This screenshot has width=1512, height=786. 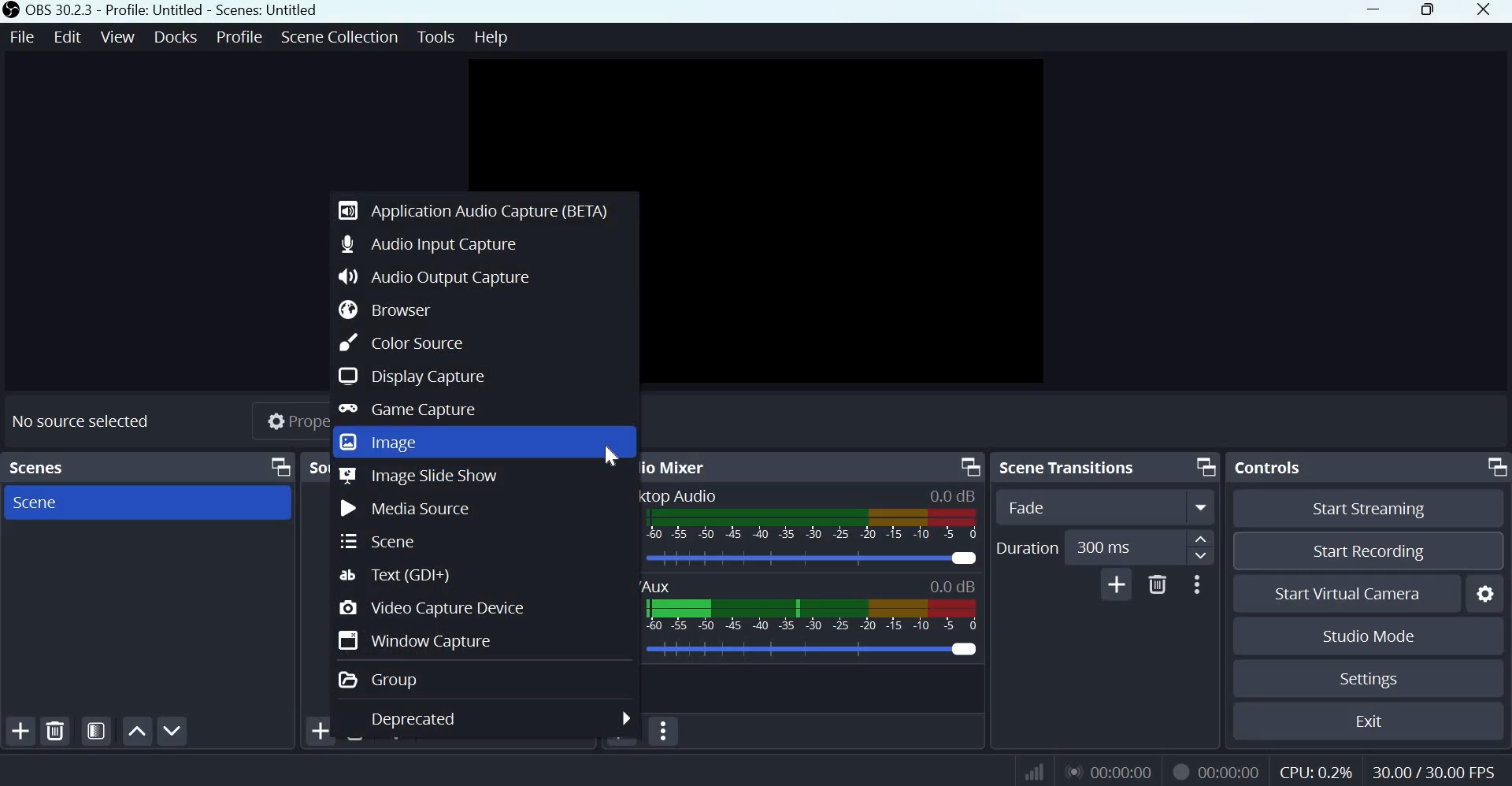 What do you see at coordinates (1376, 11) in the screenshot?
I see `Minimize` at bounding box center [1376, 11].